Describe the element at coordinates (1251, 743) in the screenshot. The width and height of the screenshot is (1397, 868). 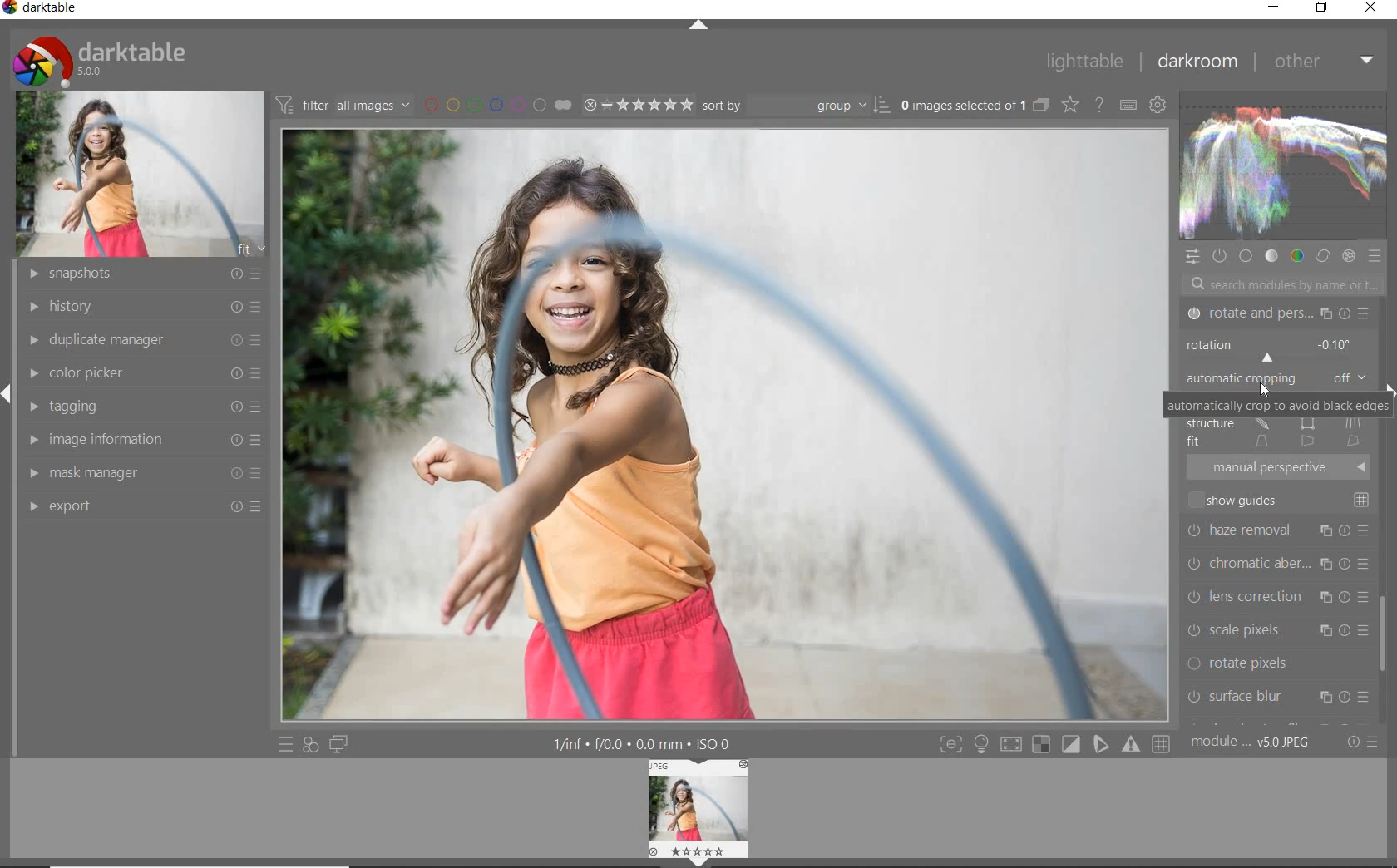
I see `module order` at that location.